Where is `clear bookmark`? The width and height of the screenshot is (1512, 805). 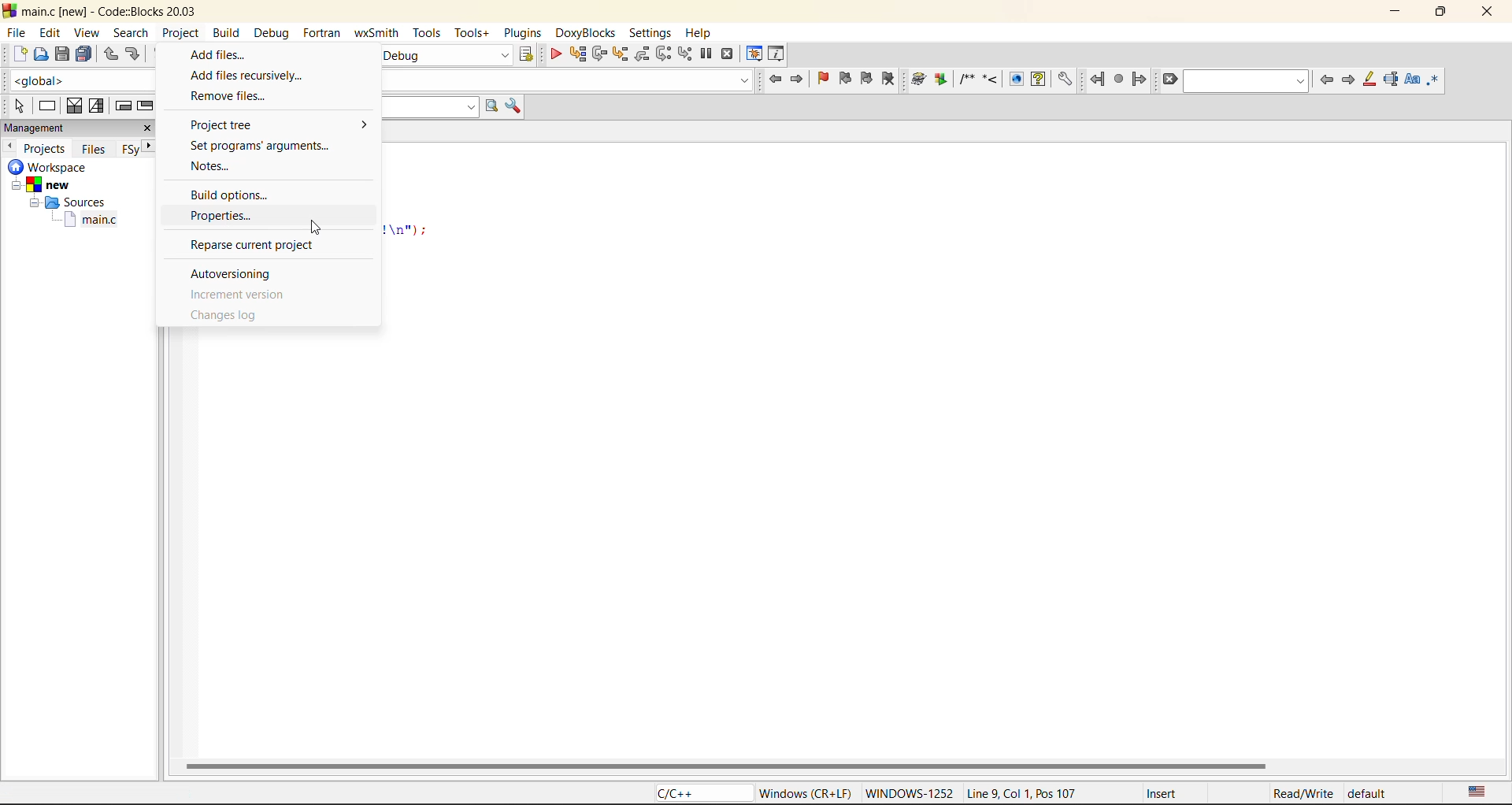 clear bookmark is located at coordinates (891, 81).